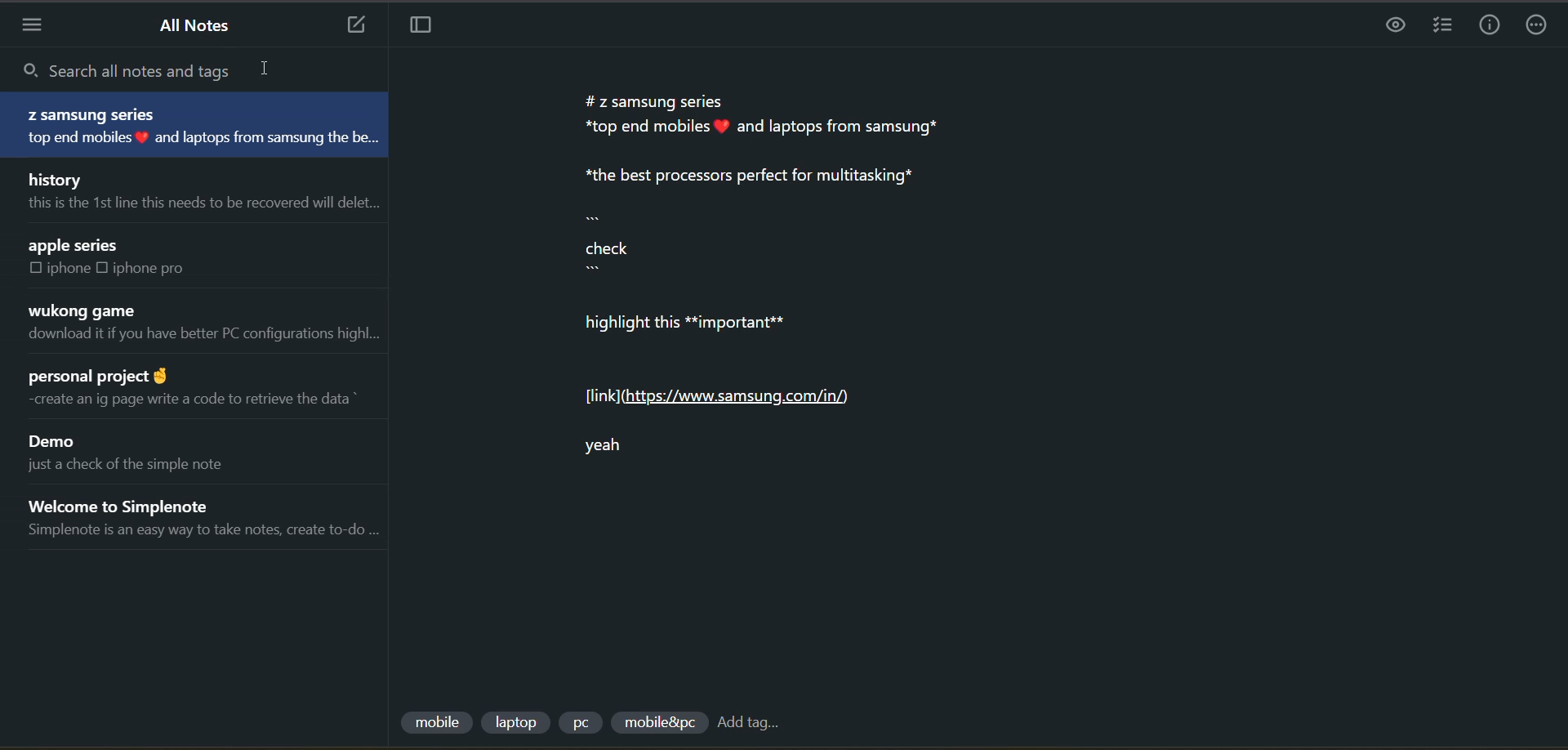 The height and width of the screenshot is (750, 1568). Describe the element at coordinates (87, 310) in the screenshot. I see `wukong game` at that location.